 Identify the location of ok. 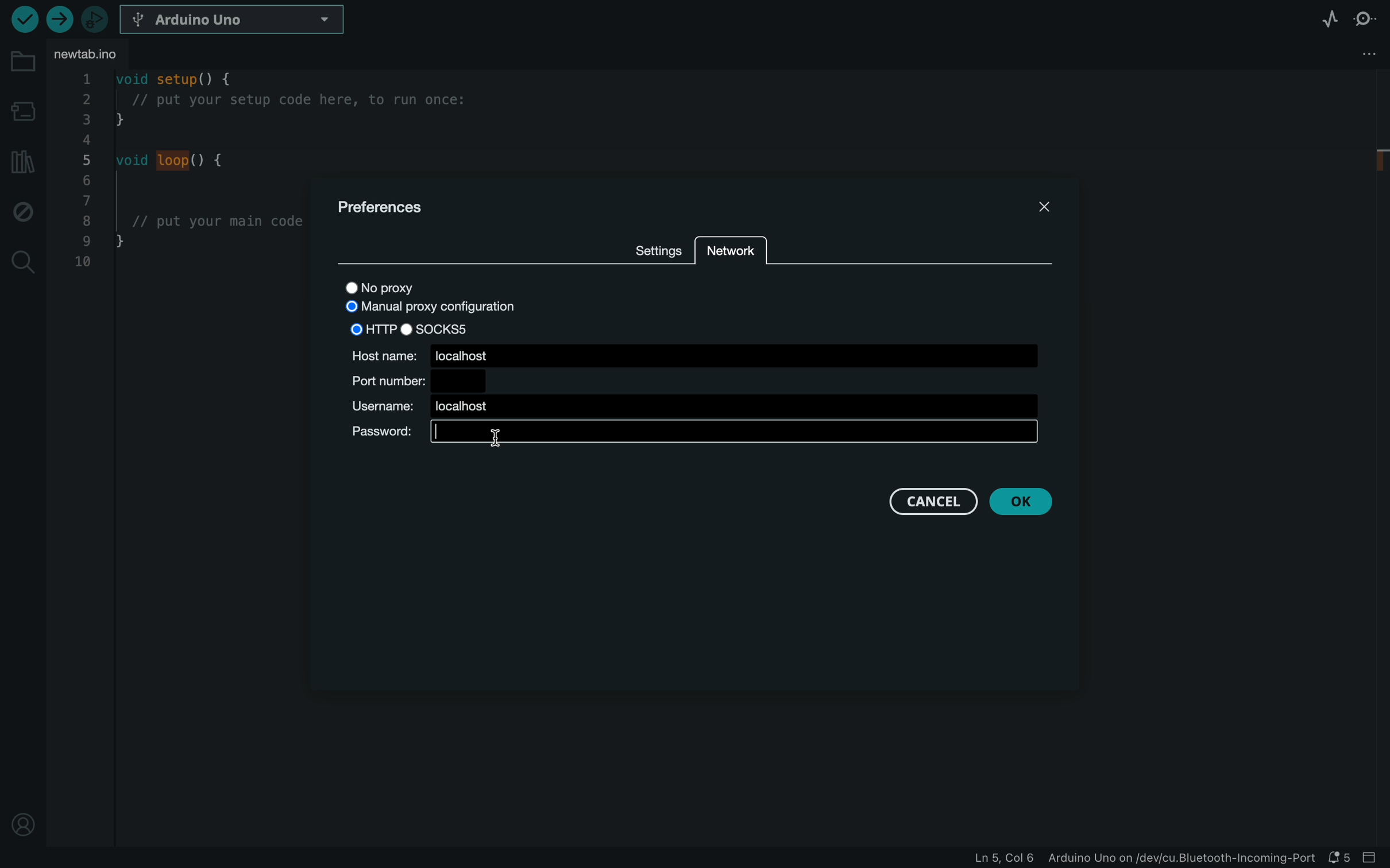
(1029, 503).